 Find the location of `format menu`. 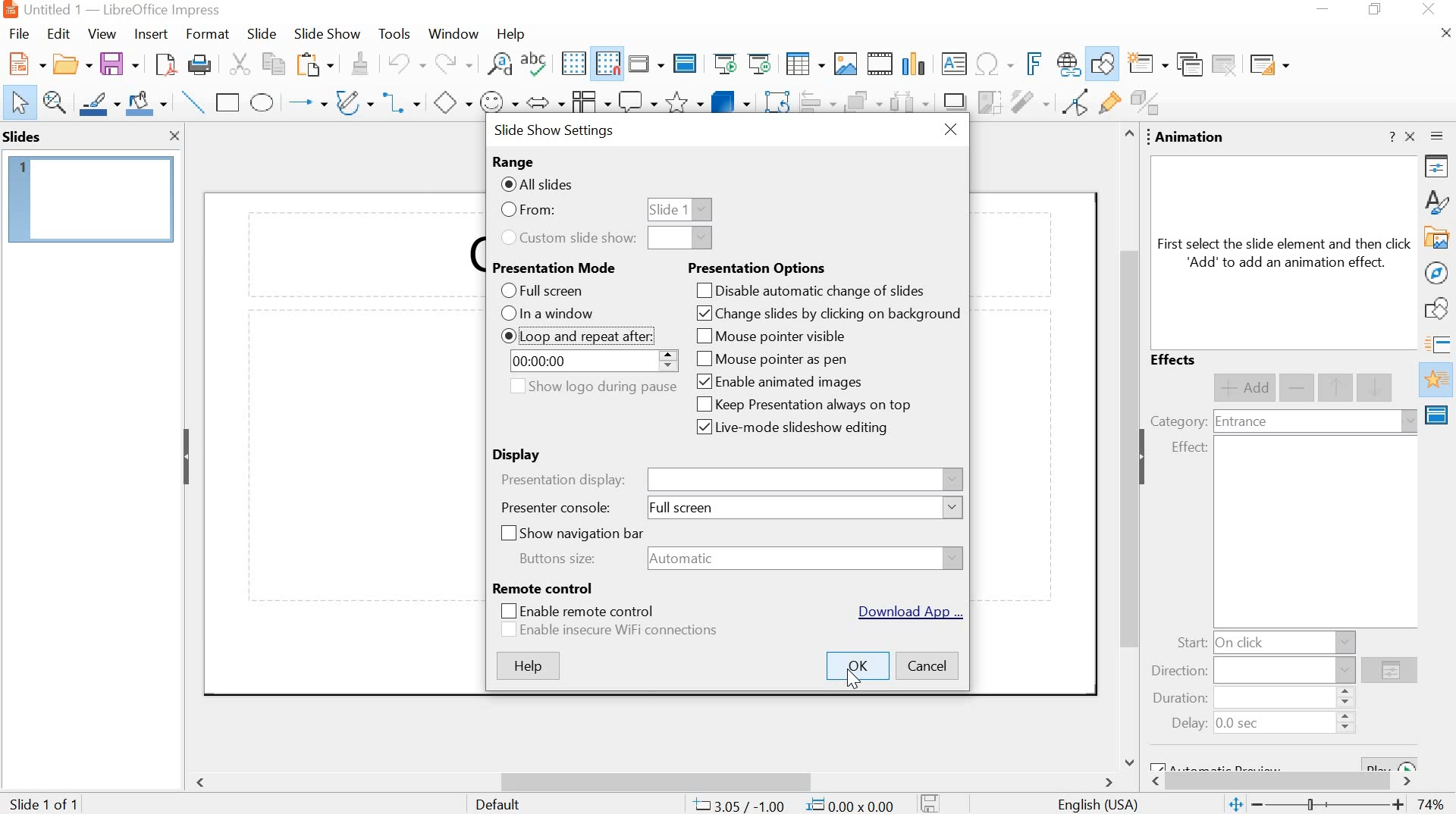

format menu is located at coordinates (206, 34).